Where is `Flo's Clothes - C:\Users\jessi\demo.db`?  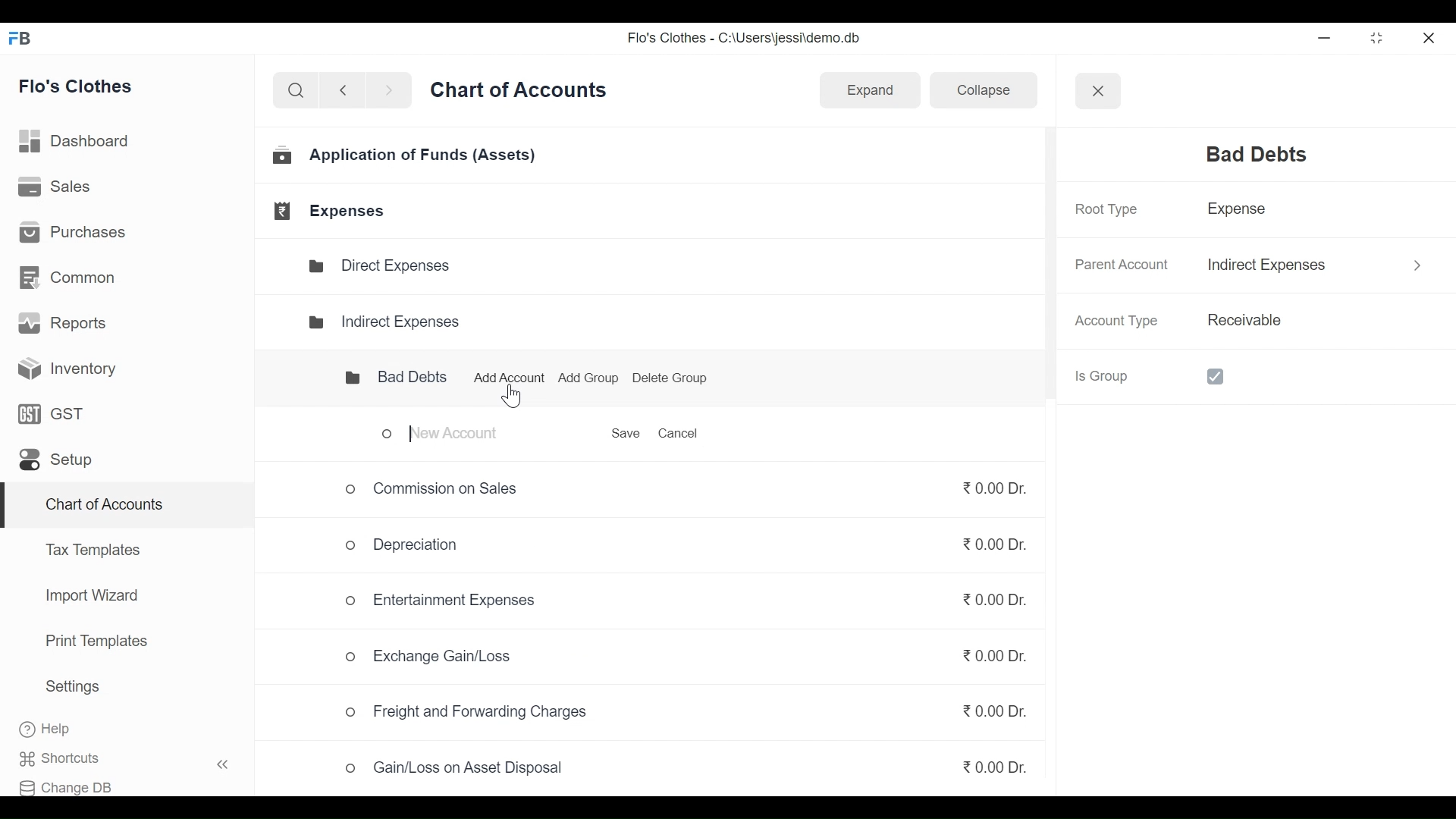
Flo's Clothes - C:\Users\jessi\demo.db is located at coordinates (746, 41).